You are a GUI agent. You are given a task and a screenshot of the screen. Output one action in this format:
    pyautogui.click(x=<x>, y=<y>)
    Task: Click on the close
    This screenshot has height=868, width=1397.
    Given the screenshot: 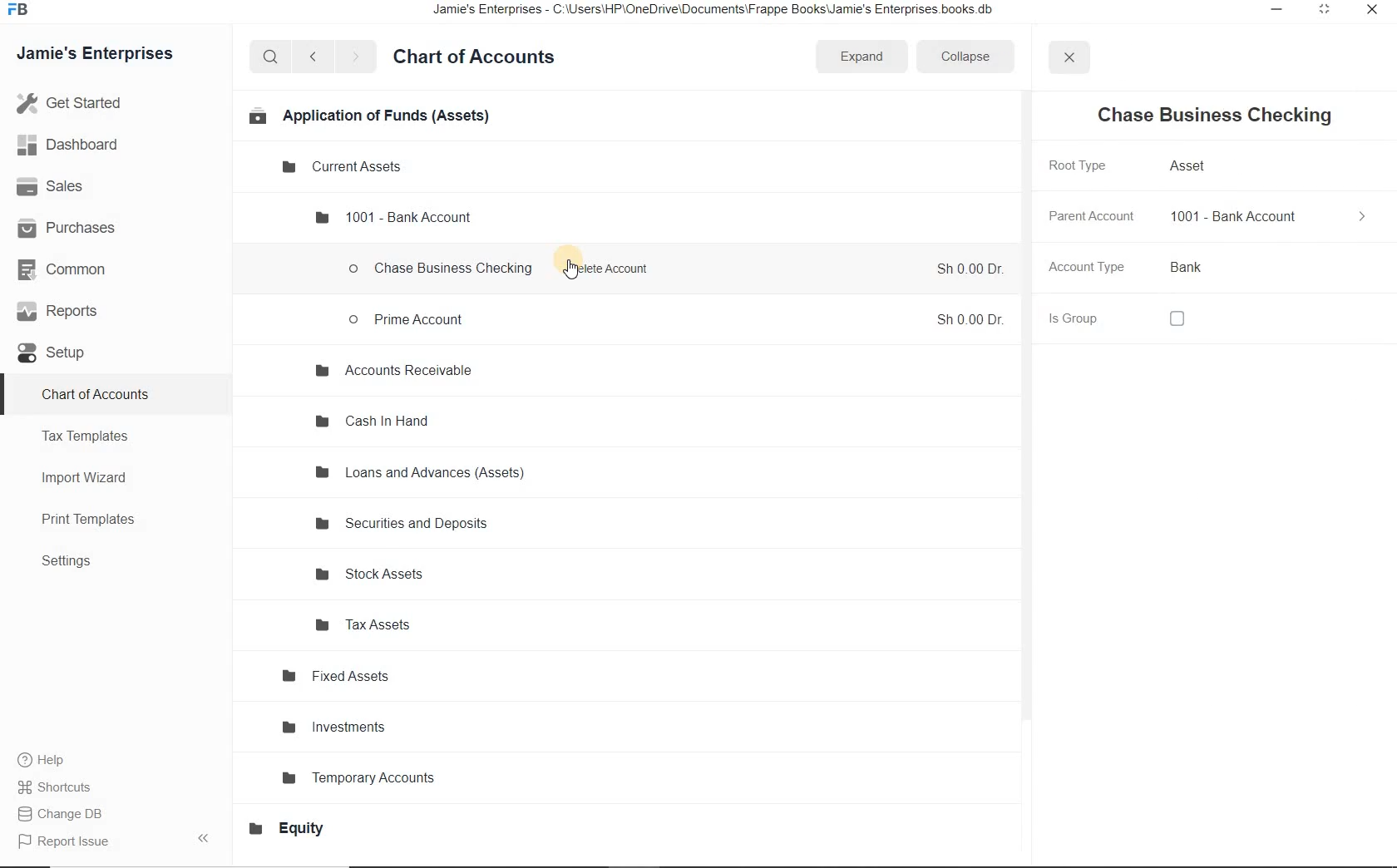 What is the action you would take?
    pyautogui.click(x=1373, y=11)
    